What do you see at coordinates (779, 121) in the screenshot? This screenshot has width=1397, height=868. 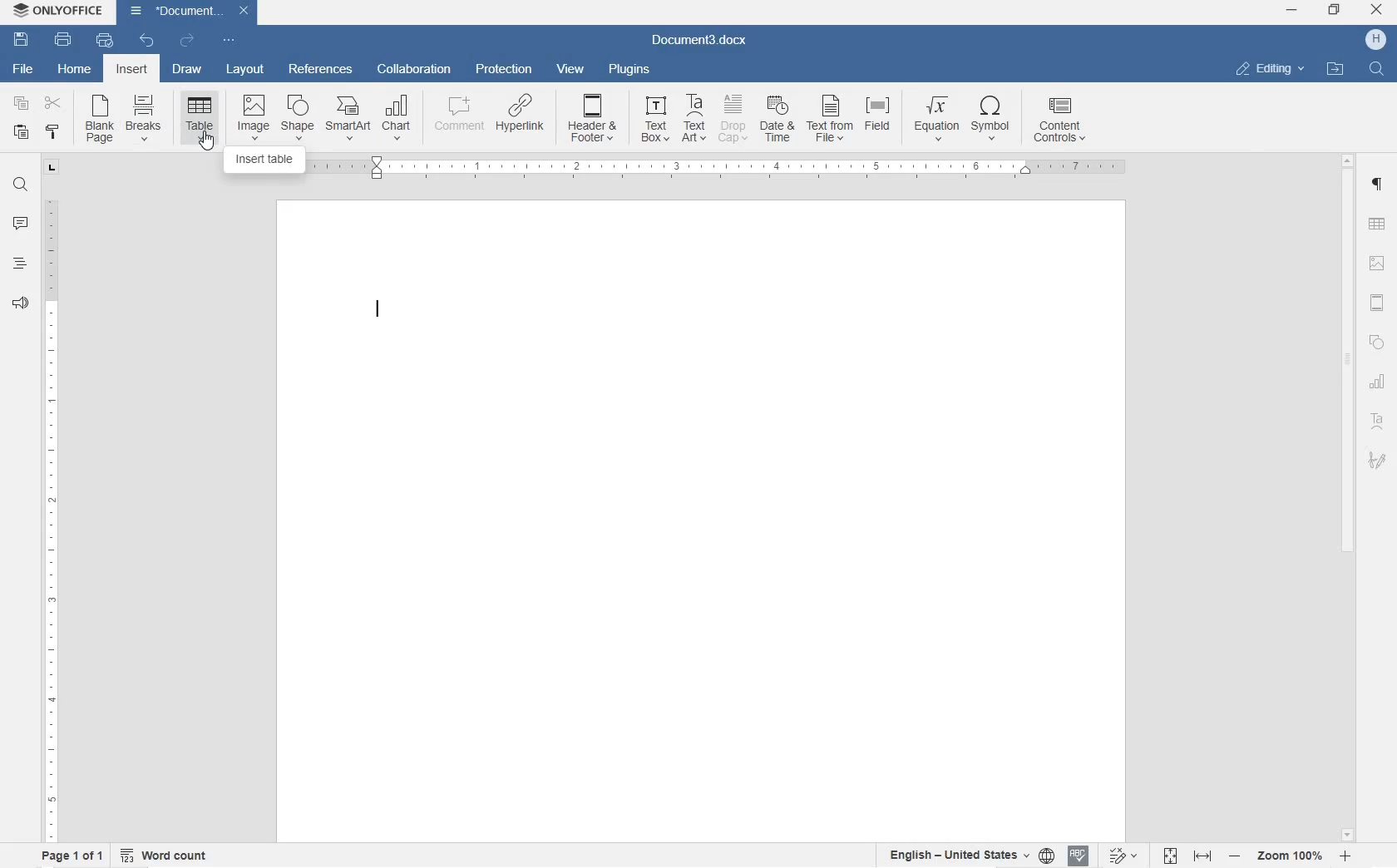 I see `Date & Time` at bounding box center [779, 121].